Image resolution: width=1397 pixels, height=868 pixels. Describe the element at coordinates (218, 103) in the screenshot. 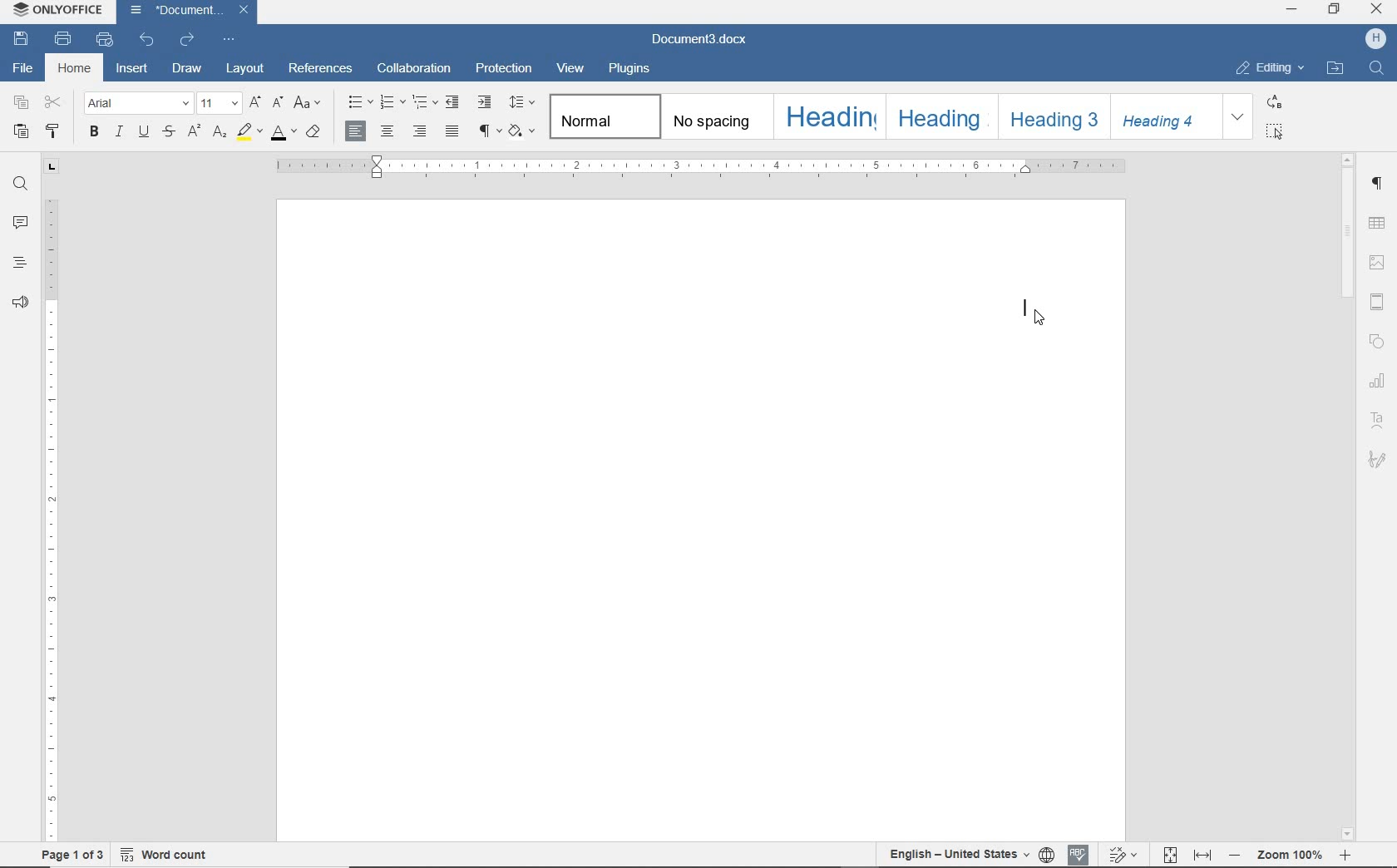

I see `FONT SIZE` at that location.